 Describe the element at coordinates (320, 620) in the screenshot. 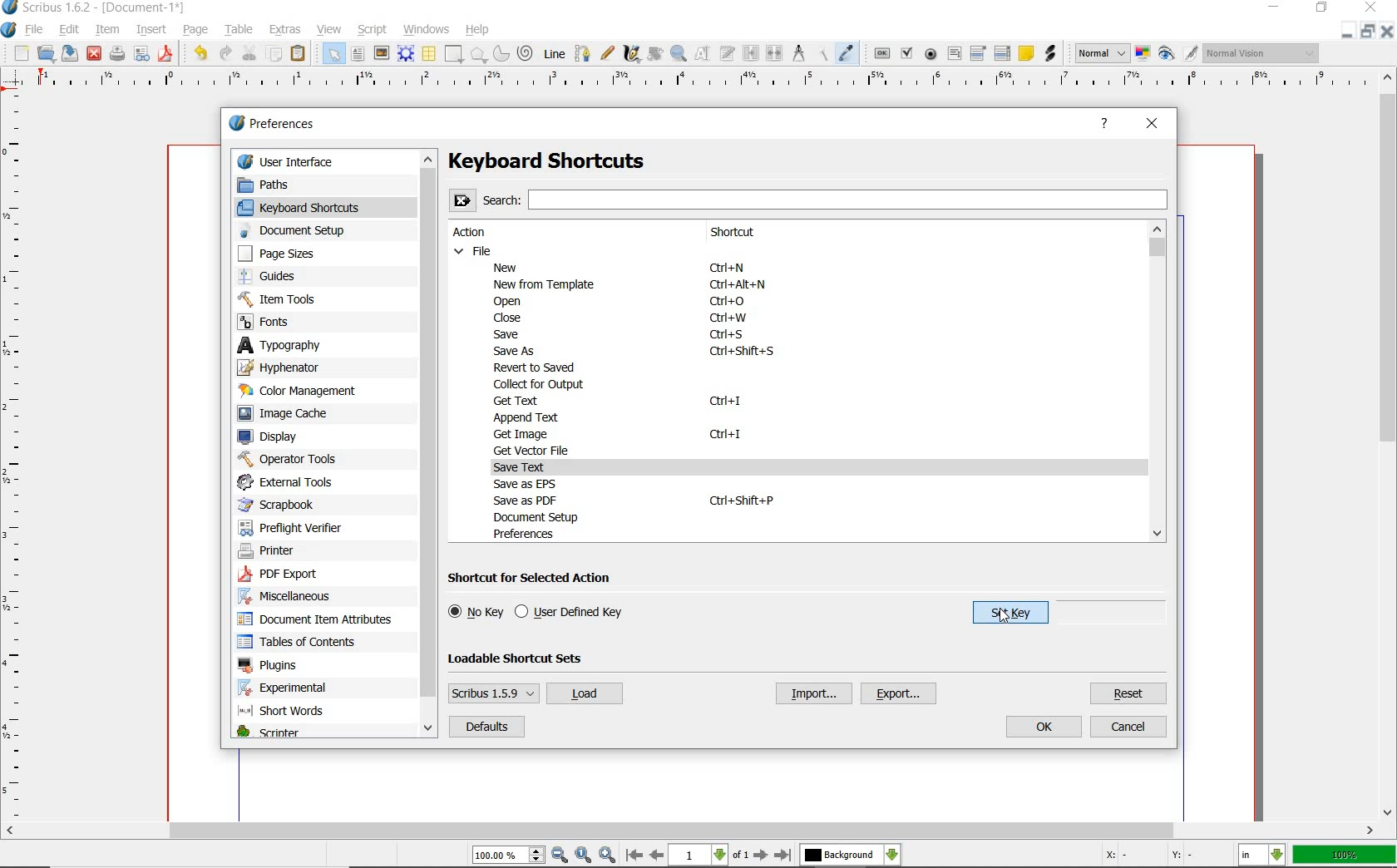

I see `document item attributes` at that location.